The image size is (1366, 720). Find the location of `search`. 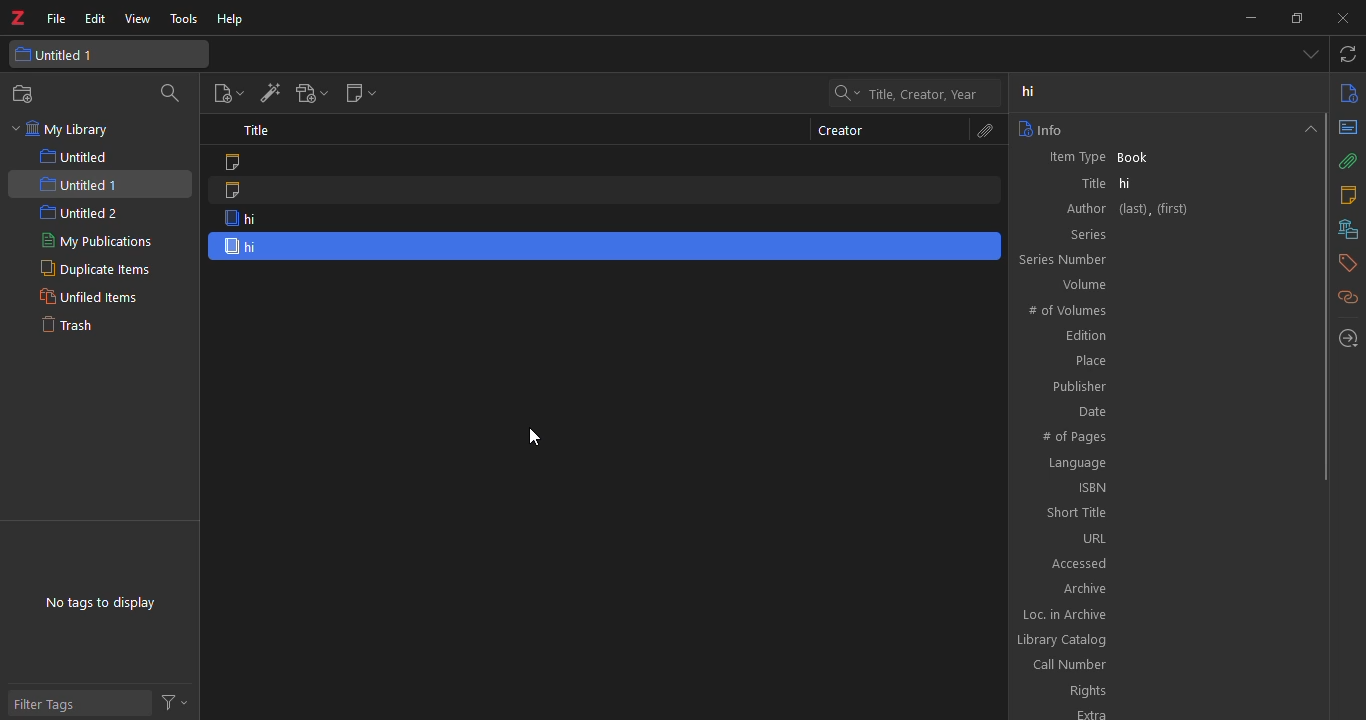

search is located at coordinates (170, 93).